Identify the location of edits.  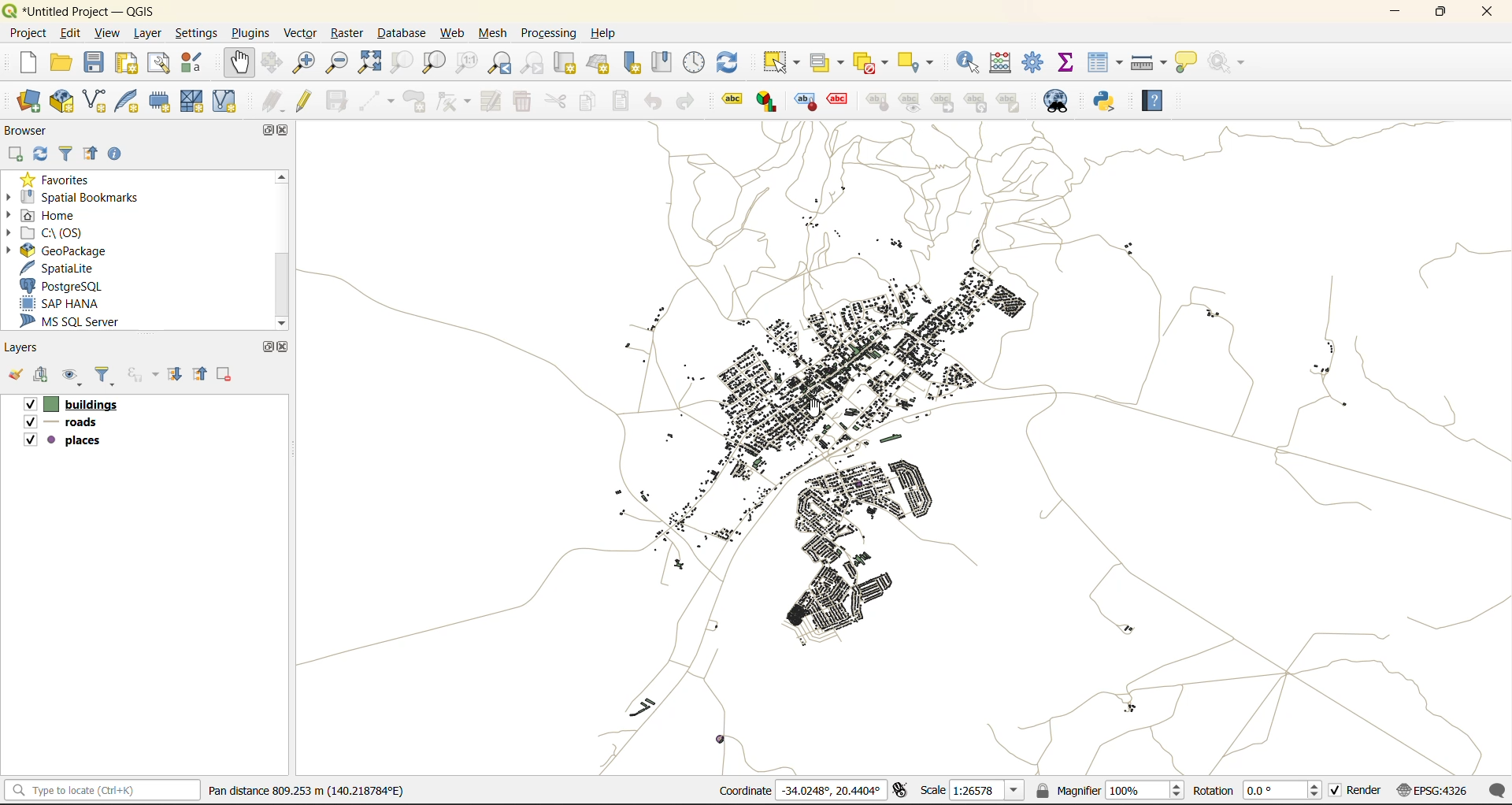
(273, 99).